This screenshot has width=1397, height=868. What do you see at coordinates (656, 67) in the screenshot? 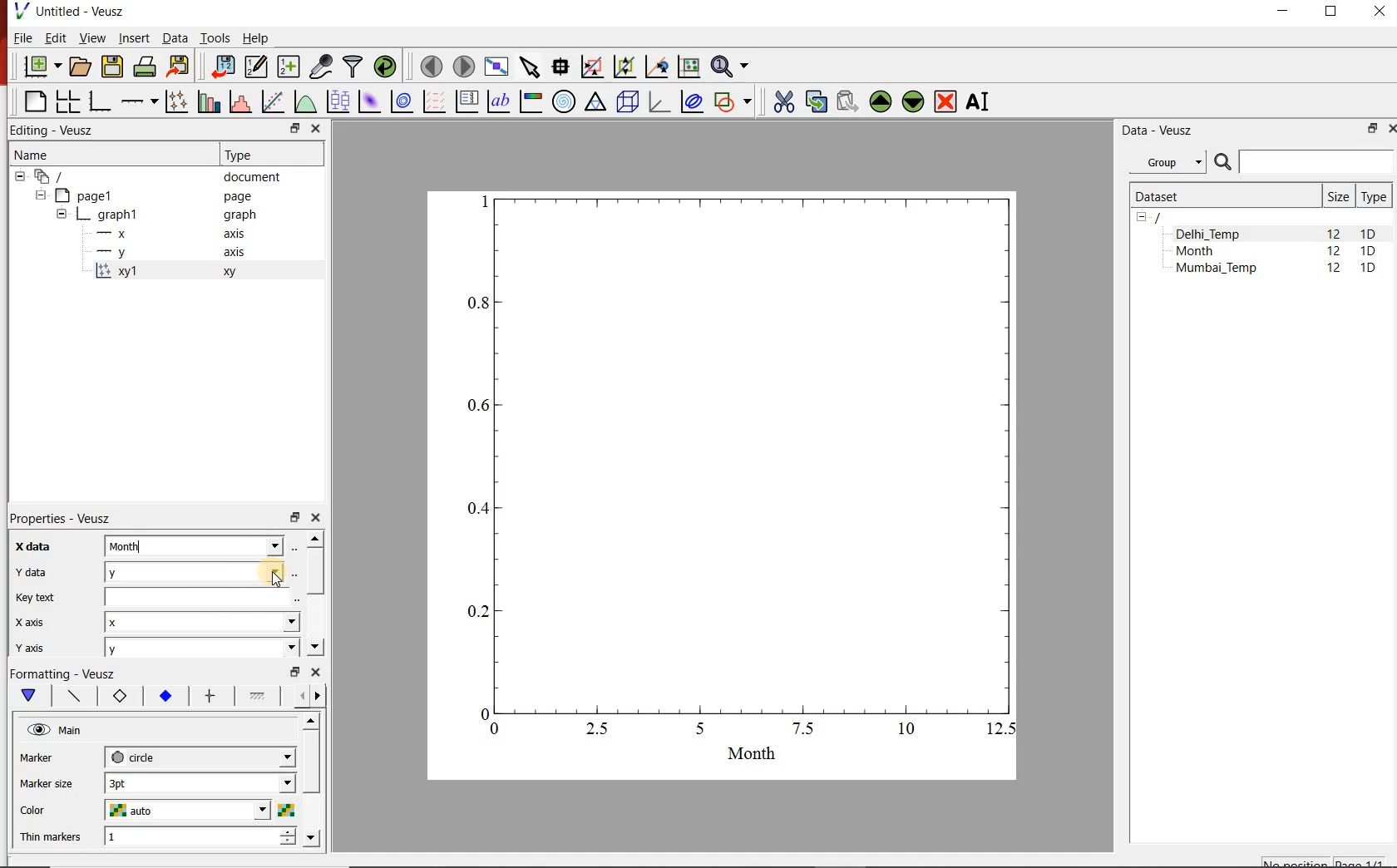
I see `click to recenter graph axes` at bounding box center [656, 67].